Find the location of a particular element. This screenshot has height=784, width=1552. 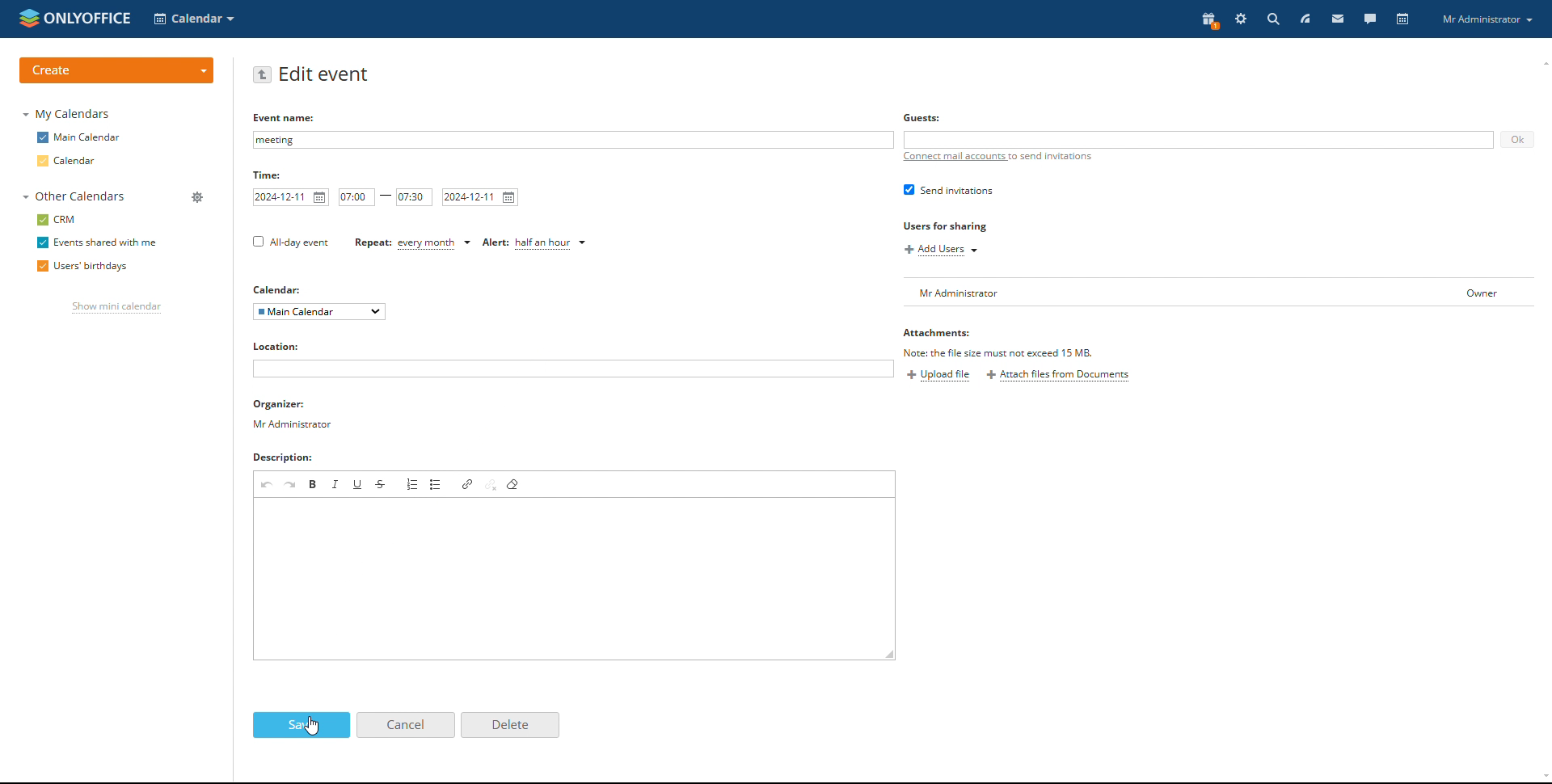

remove format is located at coordinates (514, 484).